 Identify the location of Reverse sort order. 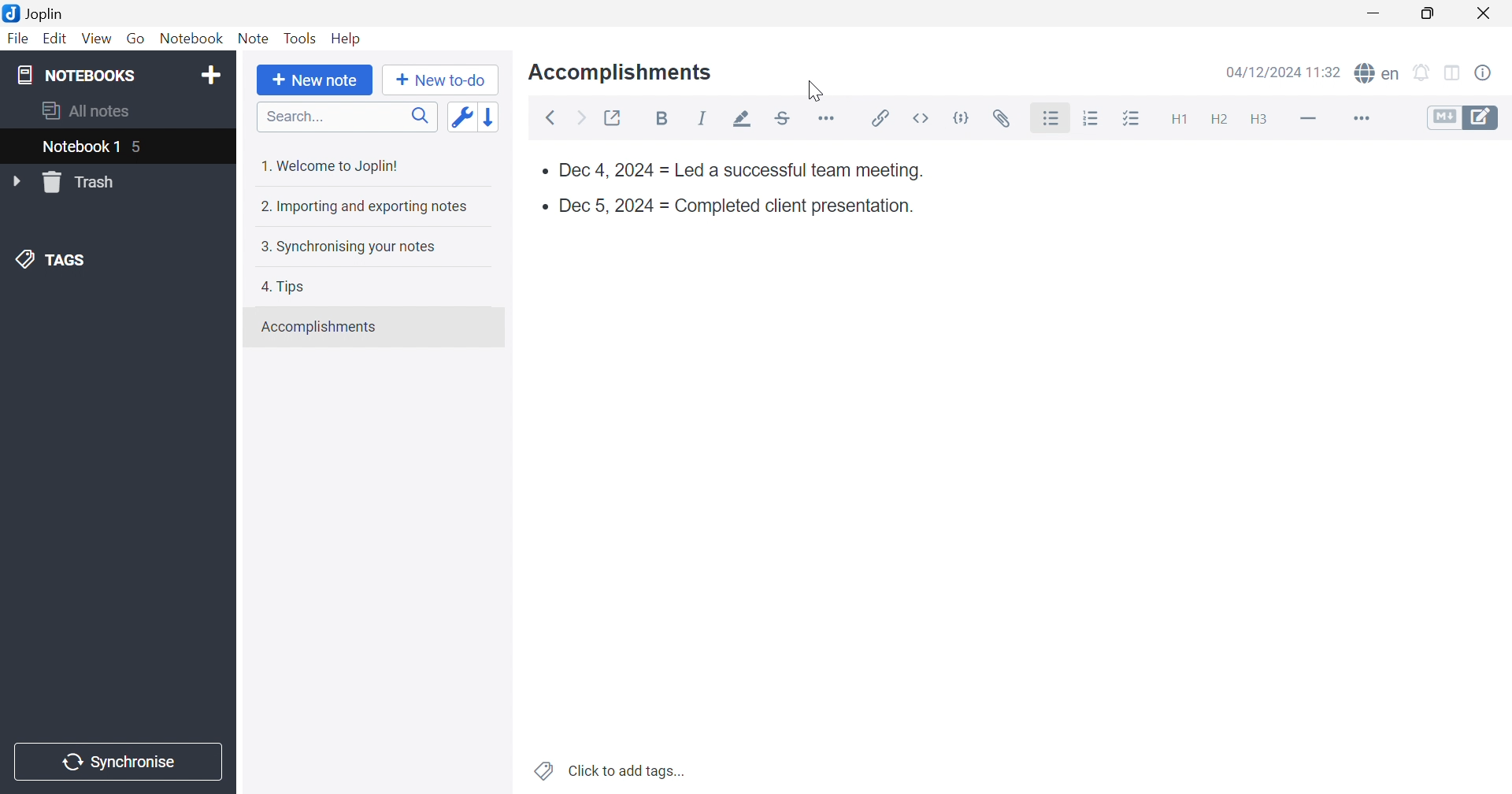
(490, 117).